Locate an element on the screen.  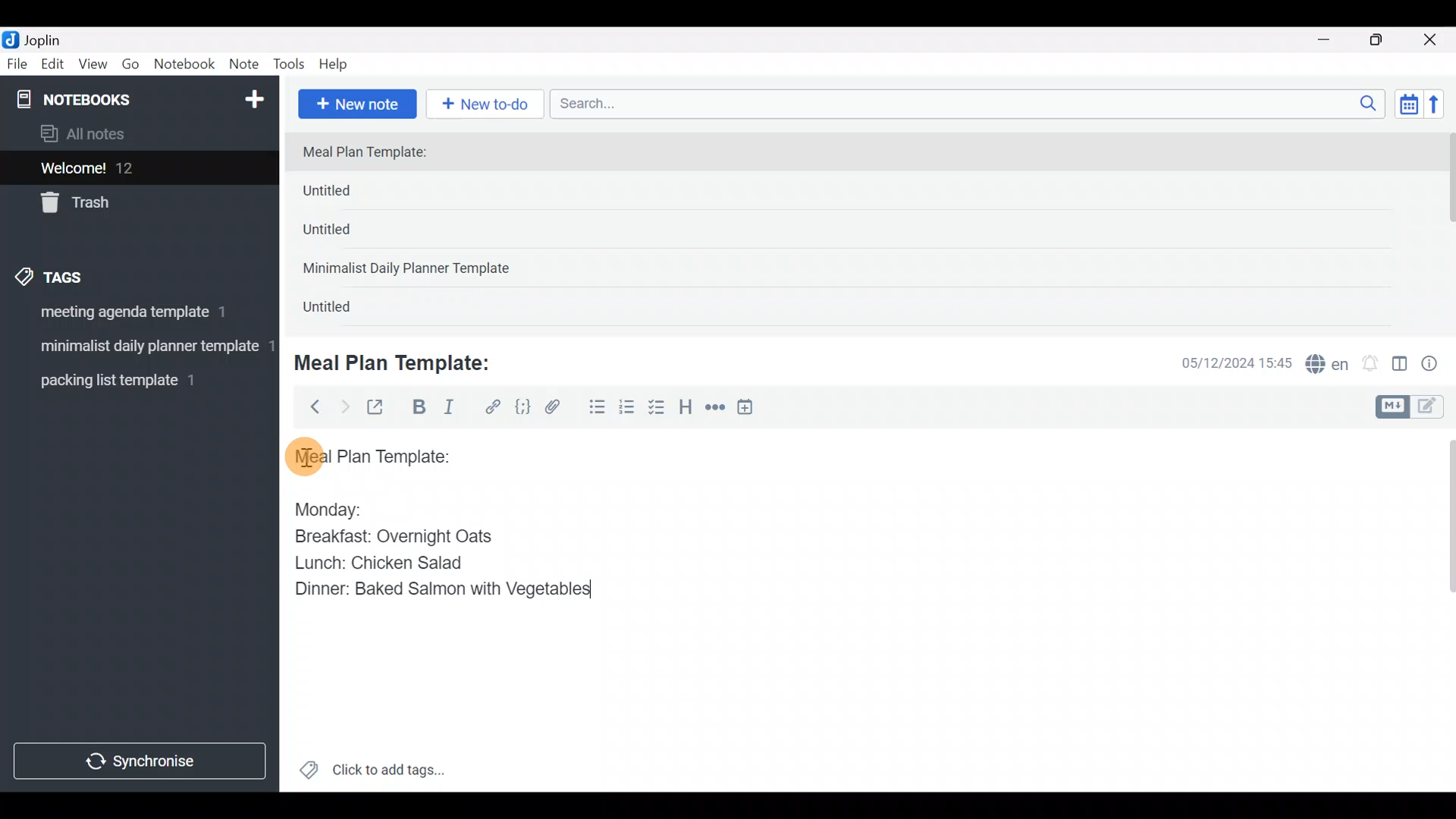
Notebook is located at coordinates (185, 64).